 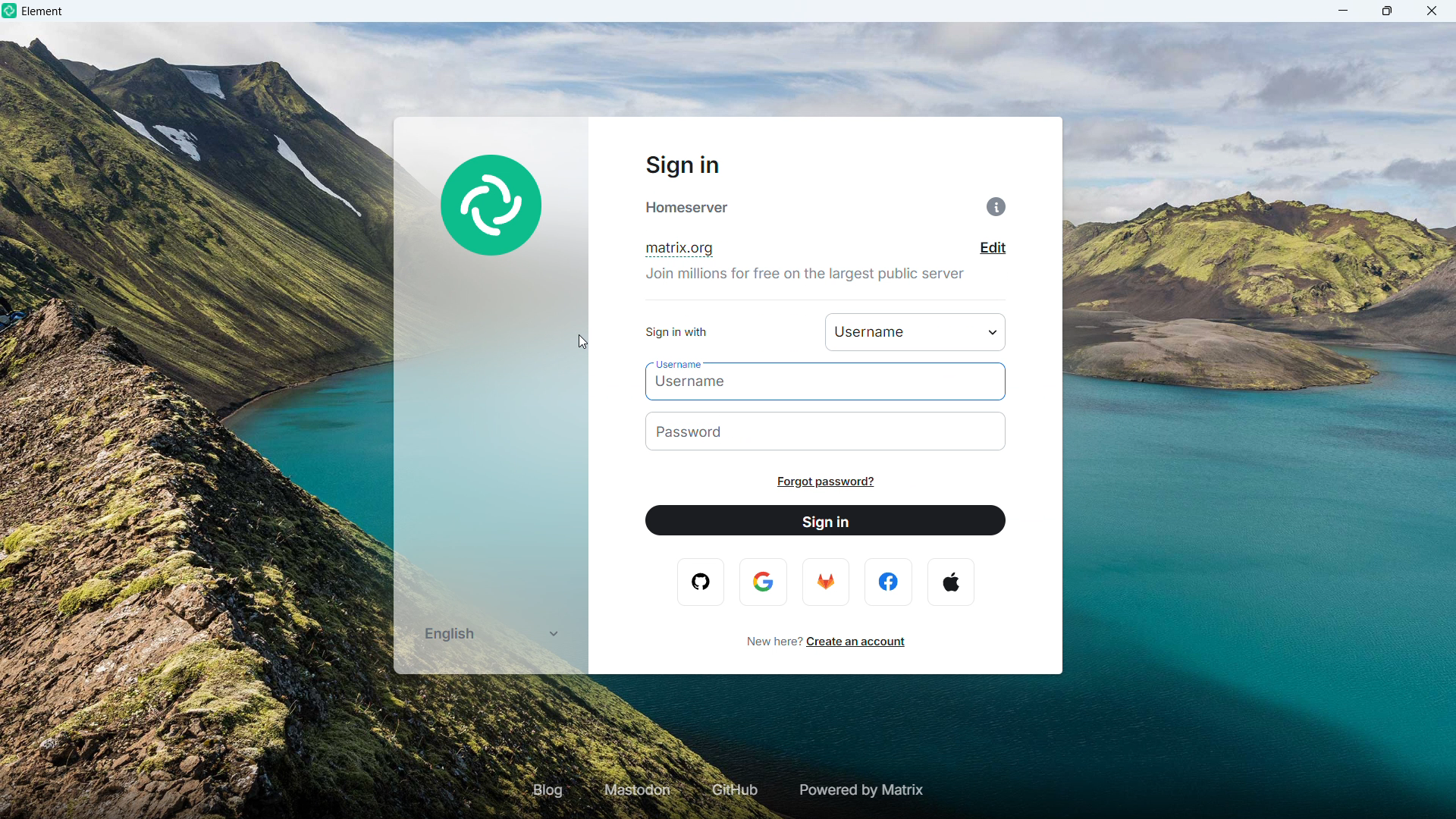 I want to click on Sign in with , so click(x=916, y=331).